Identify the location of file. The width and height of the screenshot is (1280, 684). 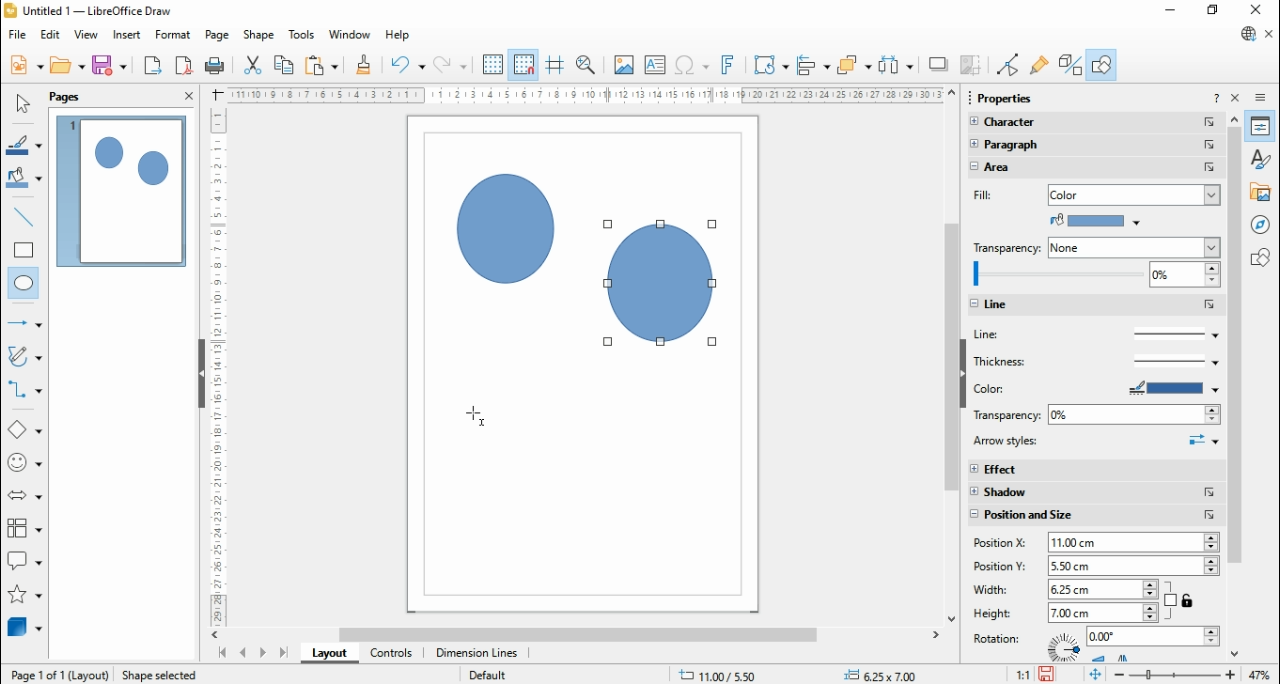
(19, 34).